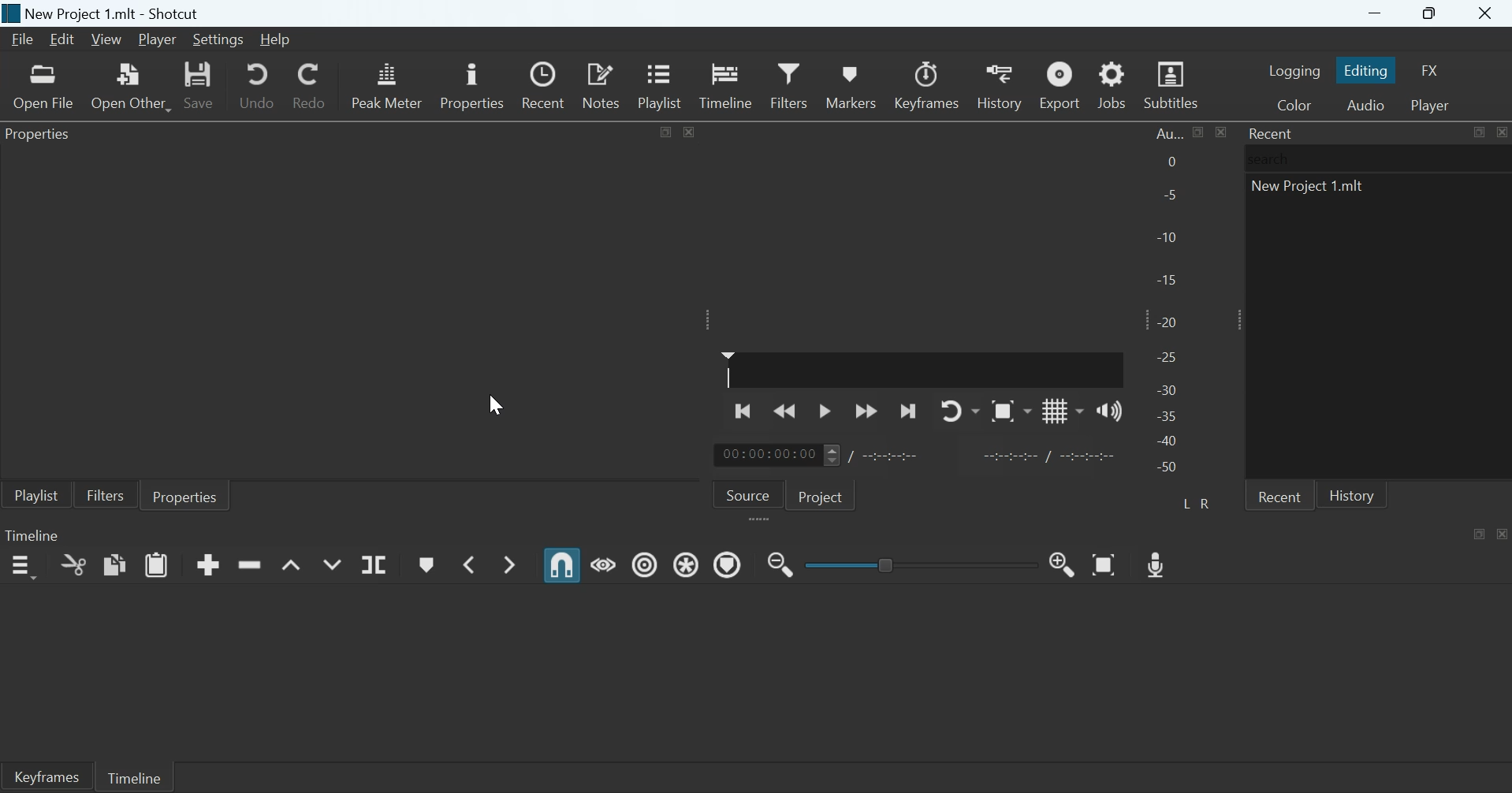  I want to click on Maximize, so click(1480, 533).